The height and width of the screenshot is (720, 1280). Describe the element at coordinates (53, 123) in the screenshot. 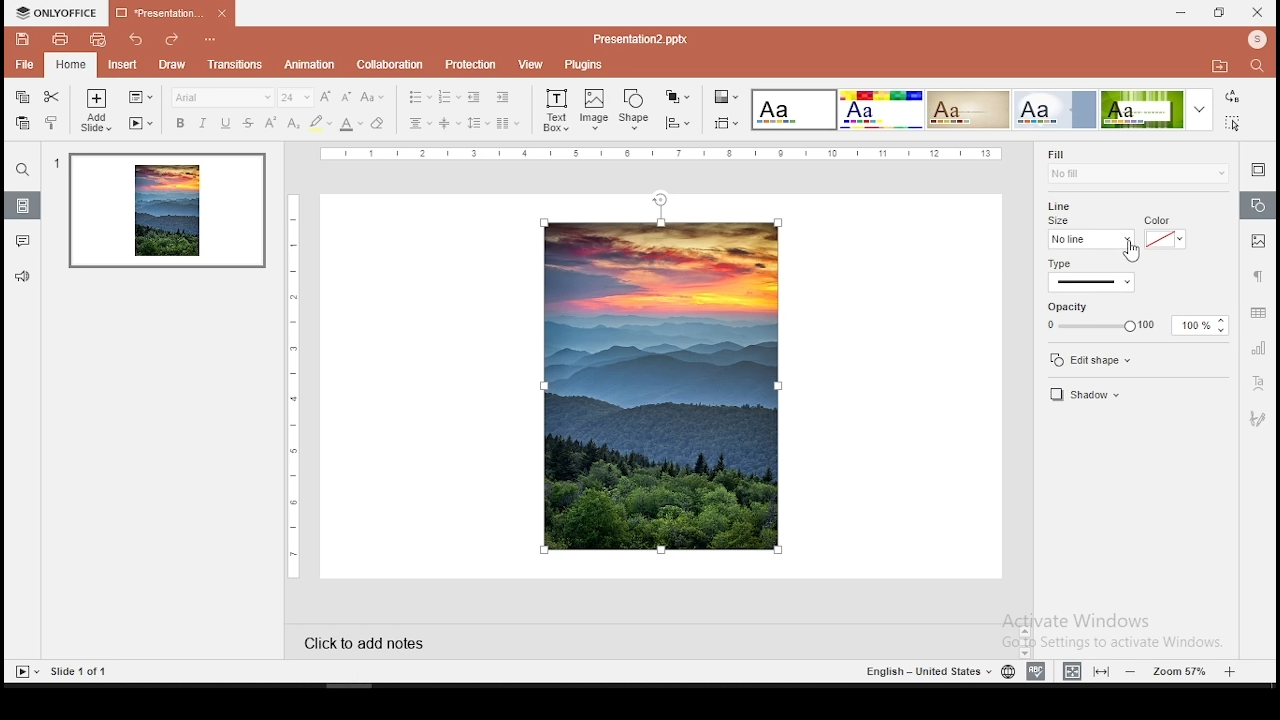

I see `clone formatting` at that location.